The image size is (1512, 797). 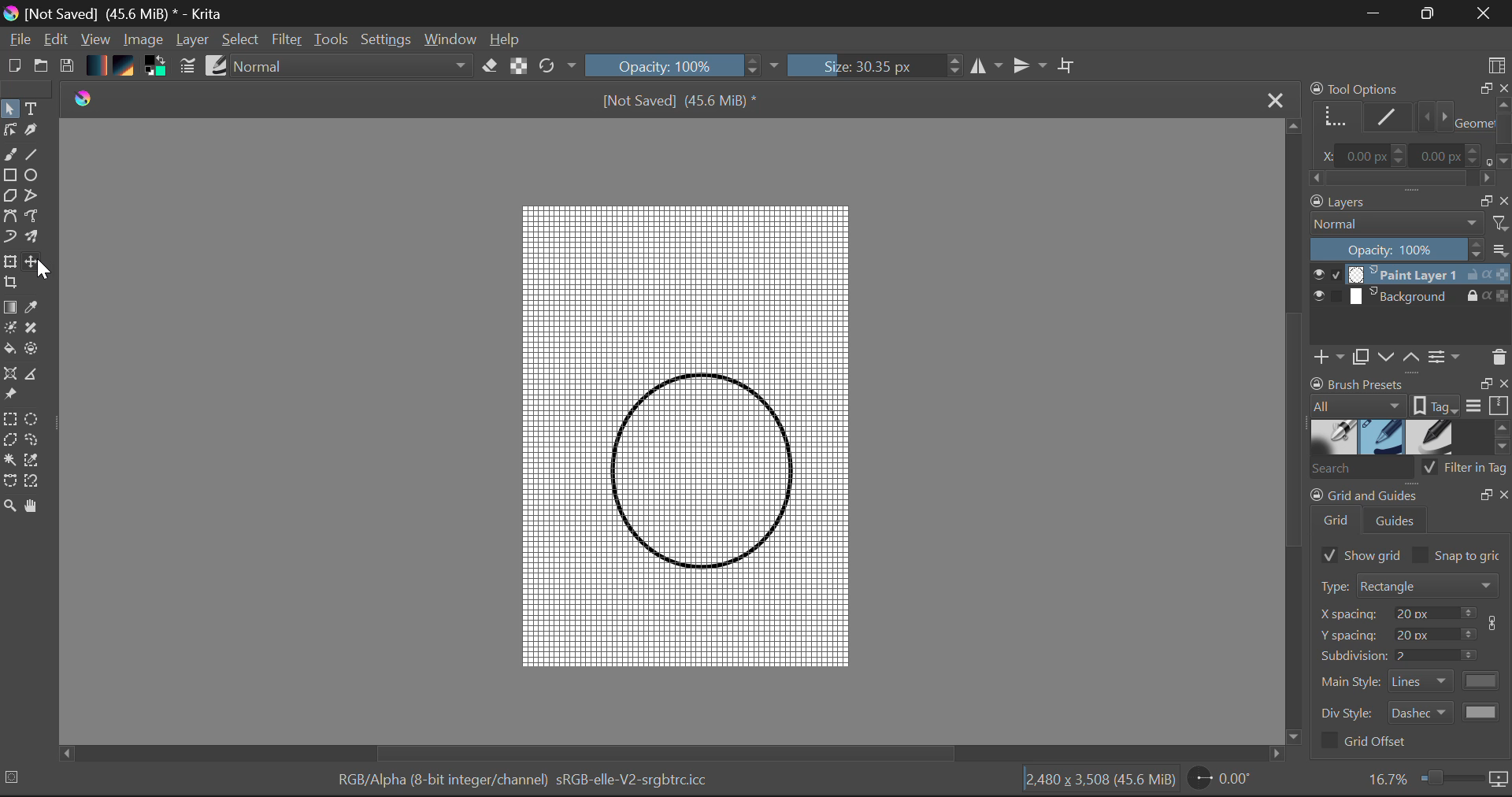 I want to click on Save, so click(x=68, y=67).